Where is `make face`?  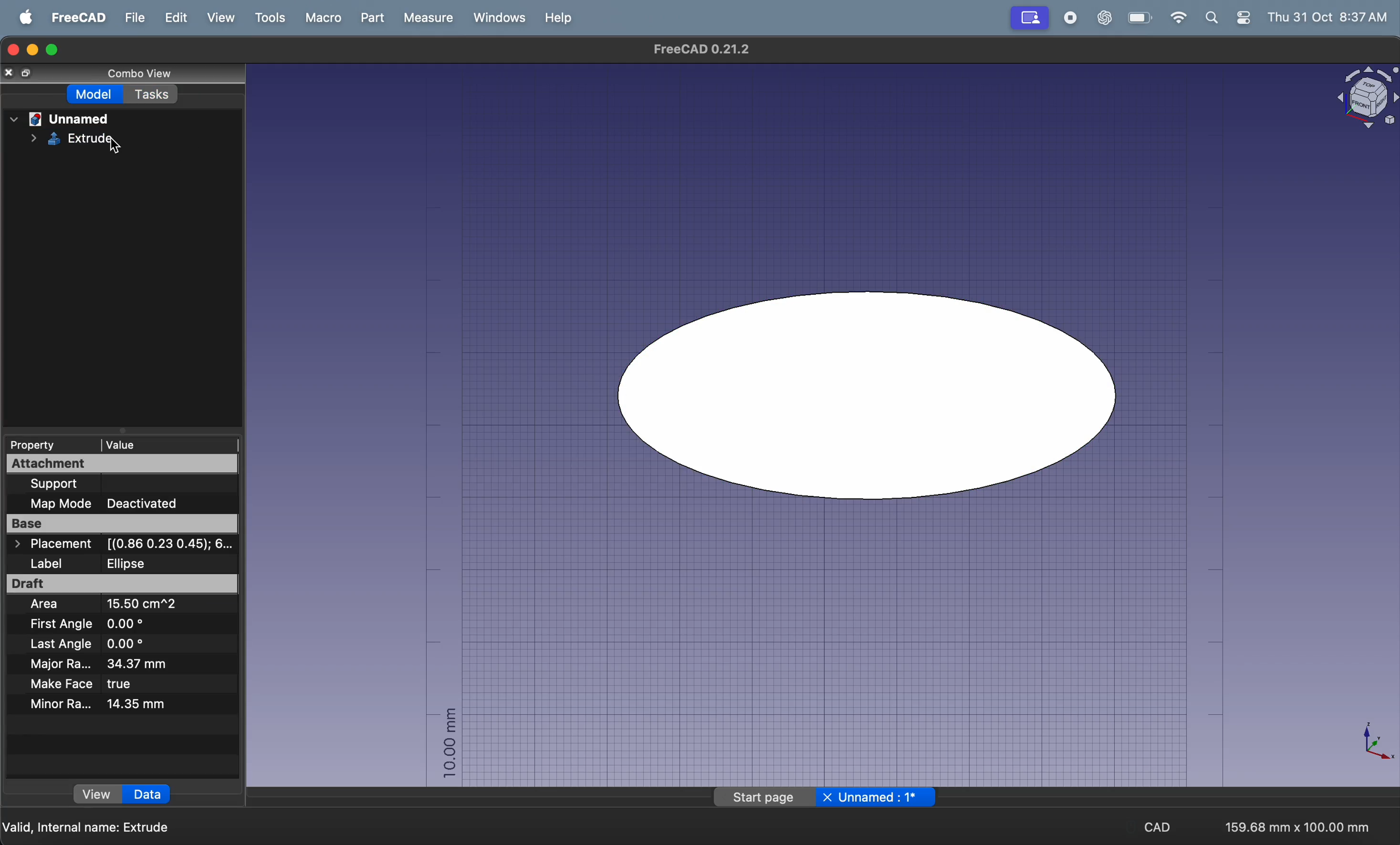
make face is located at coordinates (97, 684).